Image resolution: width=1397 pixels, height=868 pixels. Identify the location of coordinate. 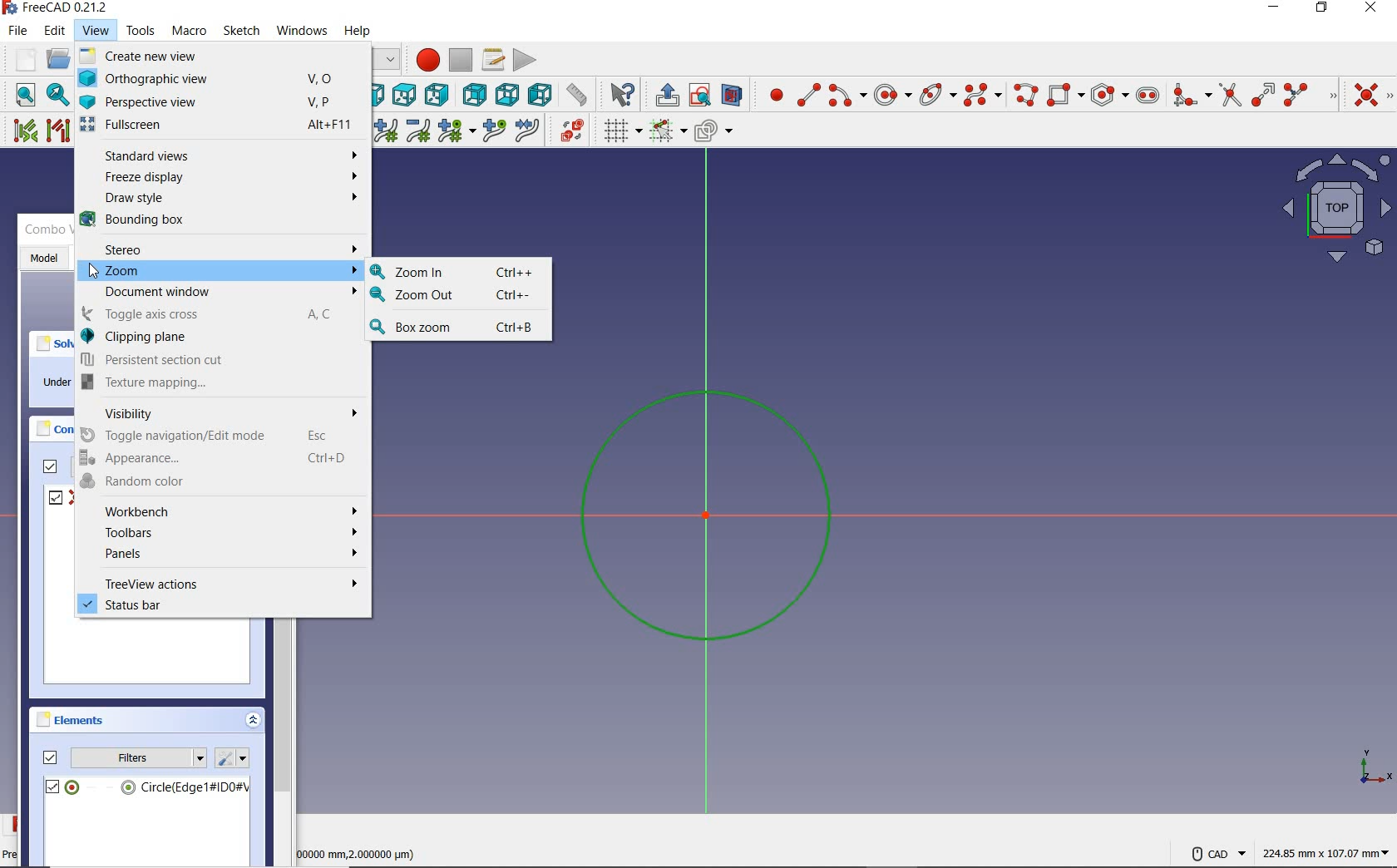
(1374, 767).